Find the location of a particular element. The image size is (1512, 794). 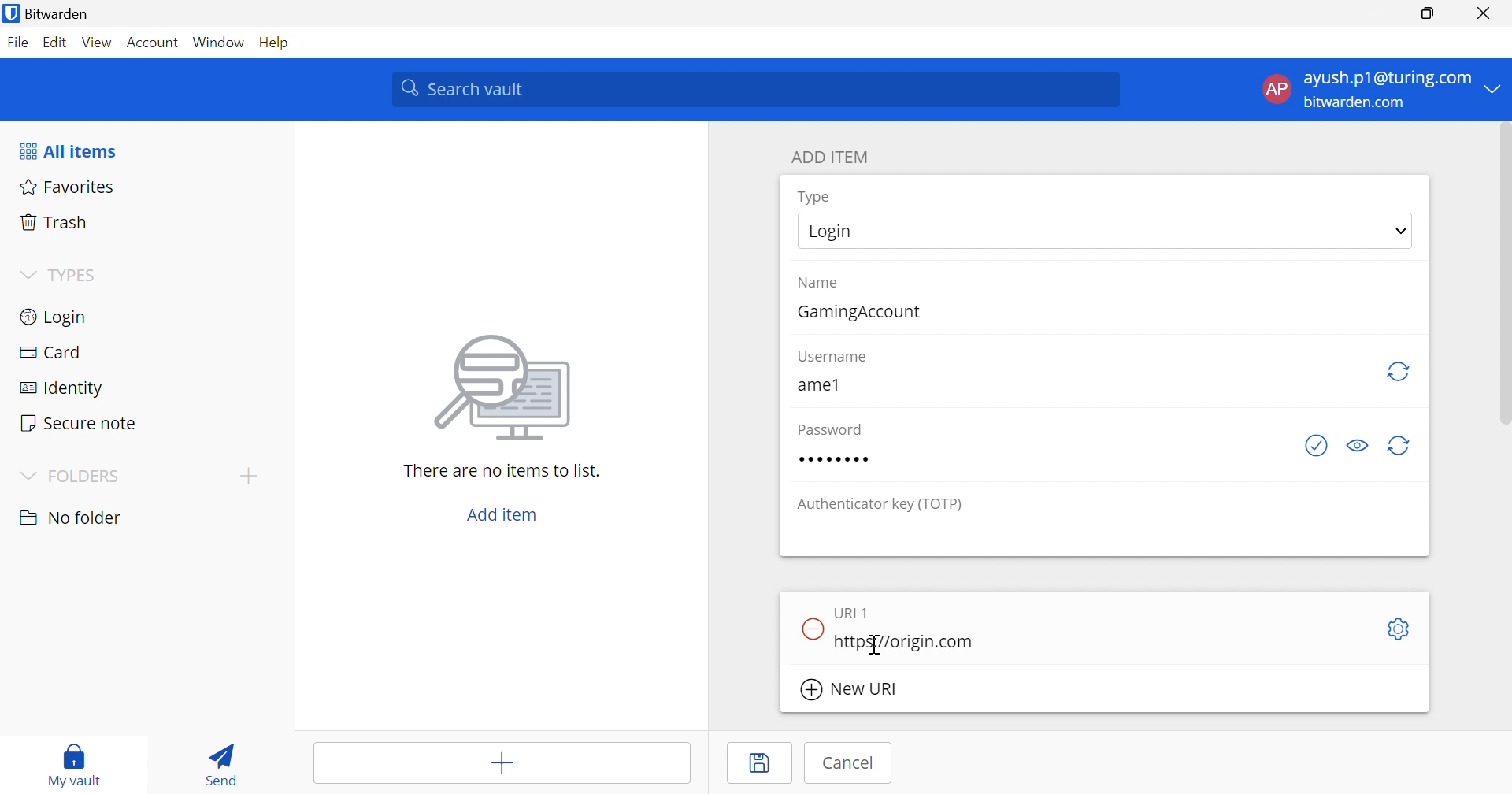

Password is located at coordinates (839, 461).